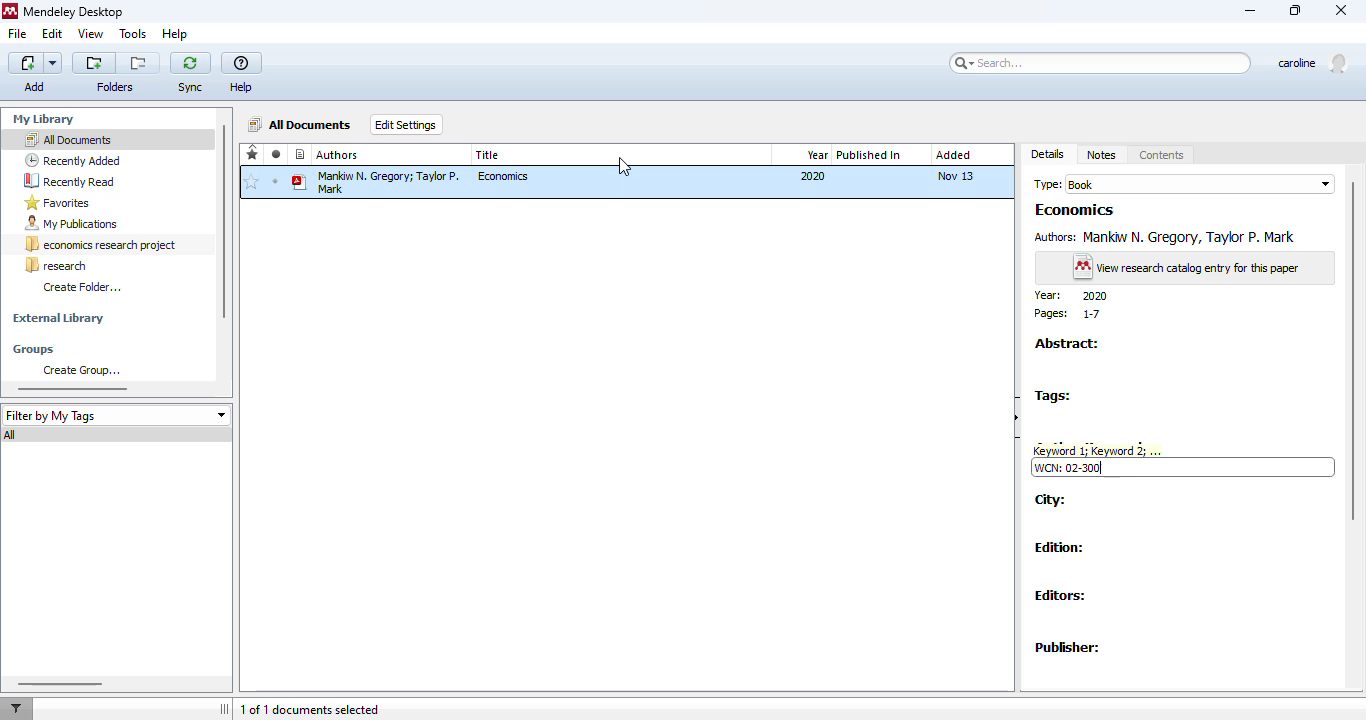  What do you see at coordinates (94, 63) in the screenshot?
I see `create a new folder` at bounding box center [94, 63].